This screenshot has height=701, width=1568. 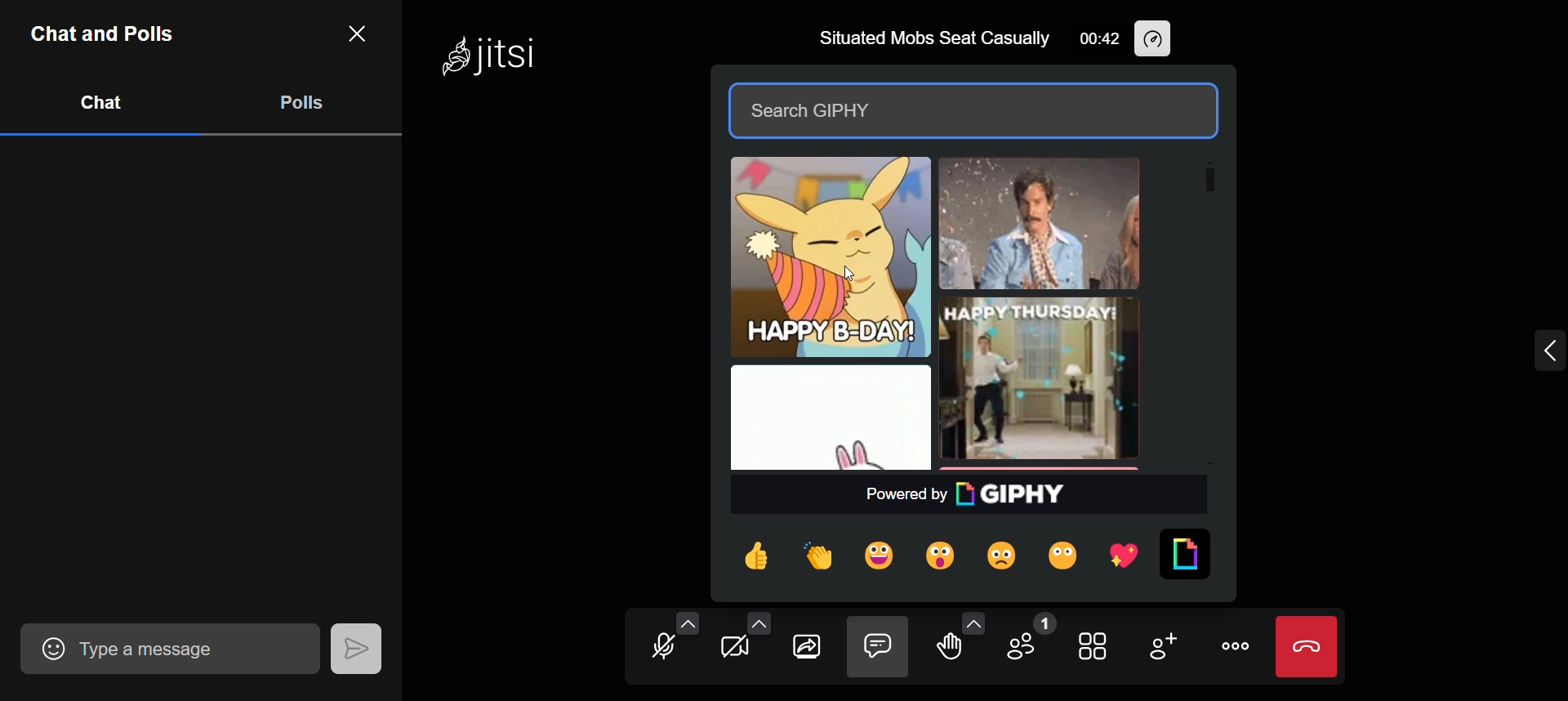 I want to click on other comedy gif, so click(x=826, y=414).